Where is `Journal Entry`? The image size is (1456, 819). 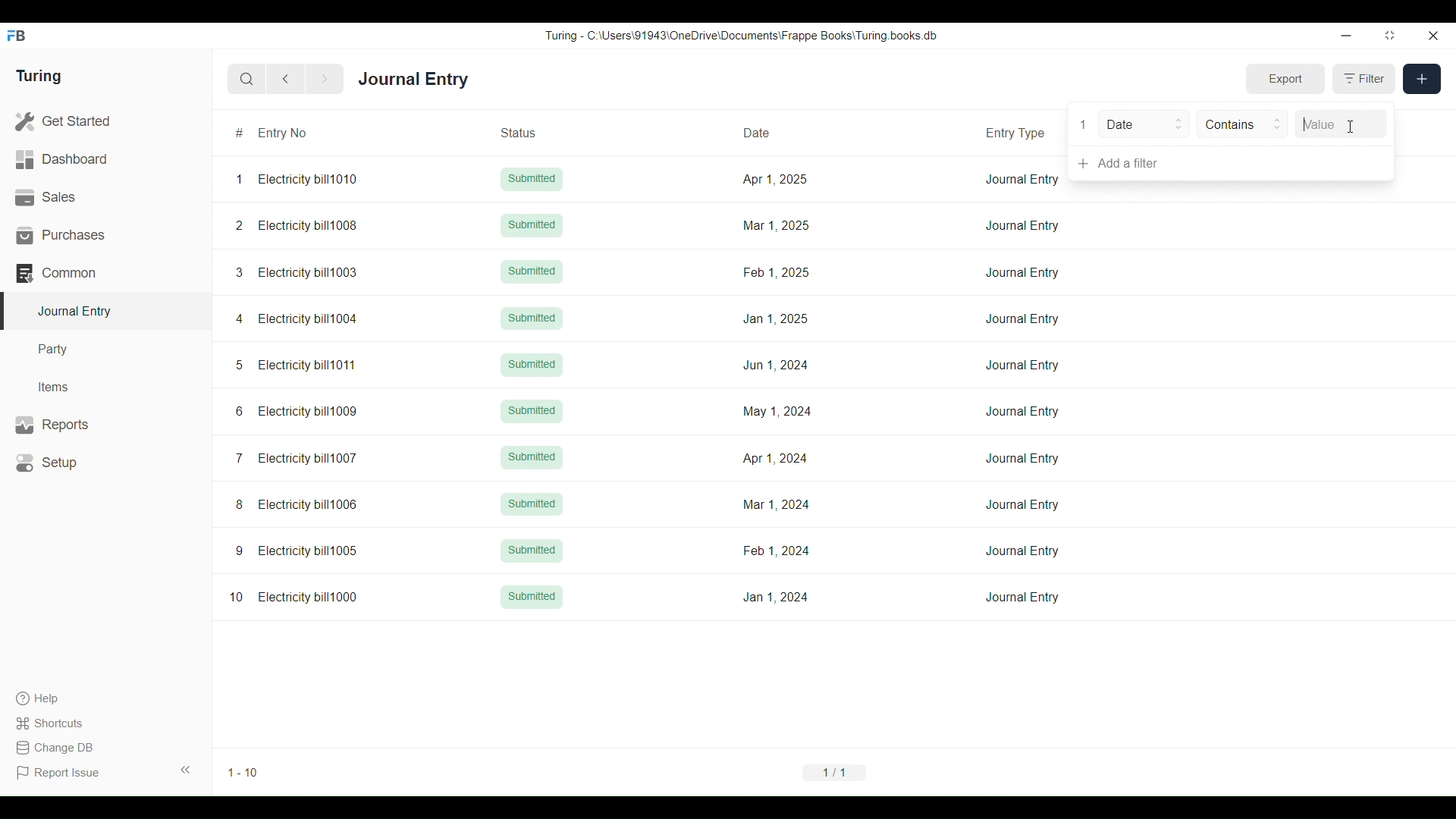
Journal Entry is located at coordinates (1022, 504).